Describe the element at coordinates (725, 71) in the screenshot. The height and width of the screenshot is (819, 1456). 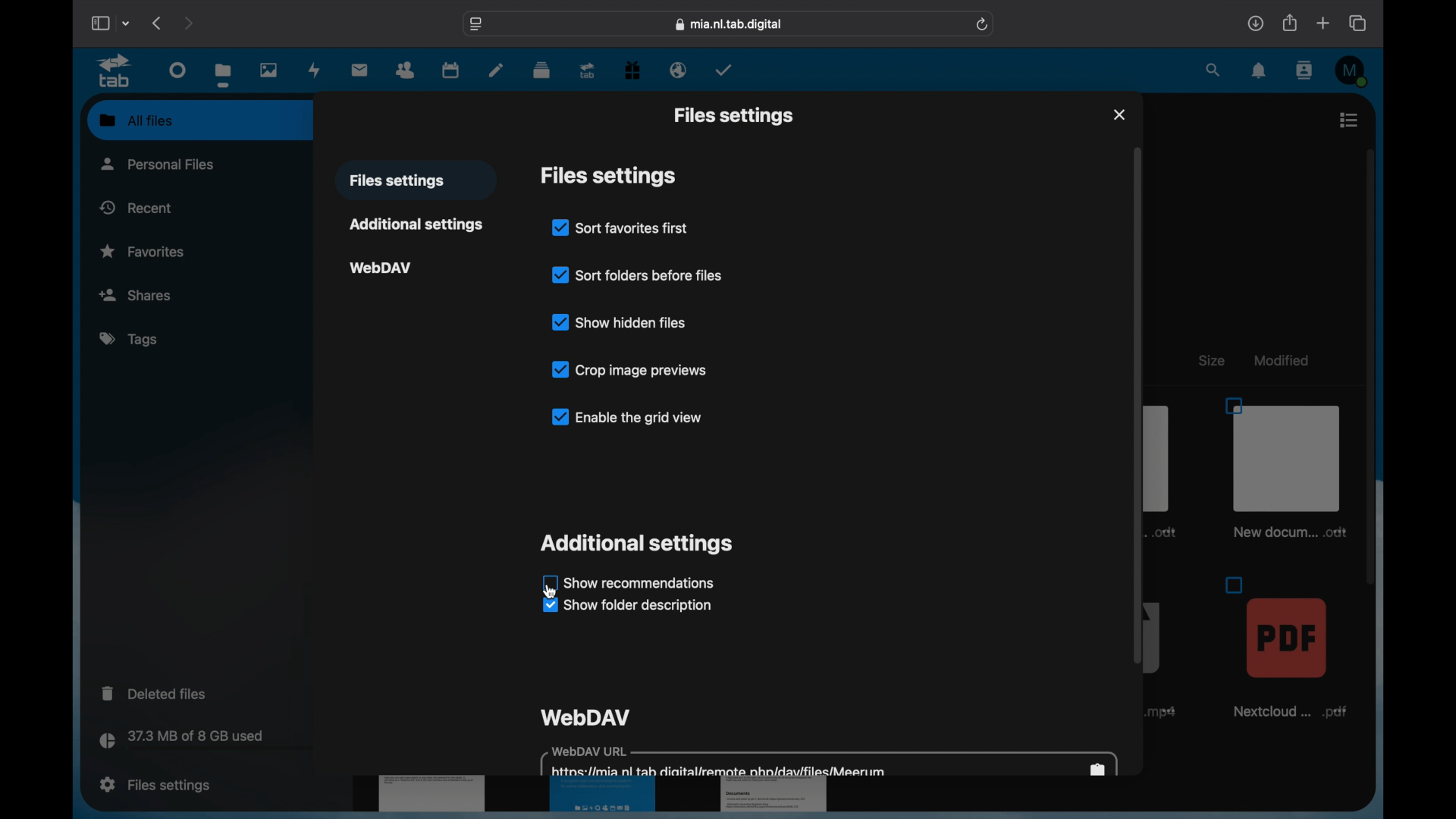
I see `tasks` at that location.